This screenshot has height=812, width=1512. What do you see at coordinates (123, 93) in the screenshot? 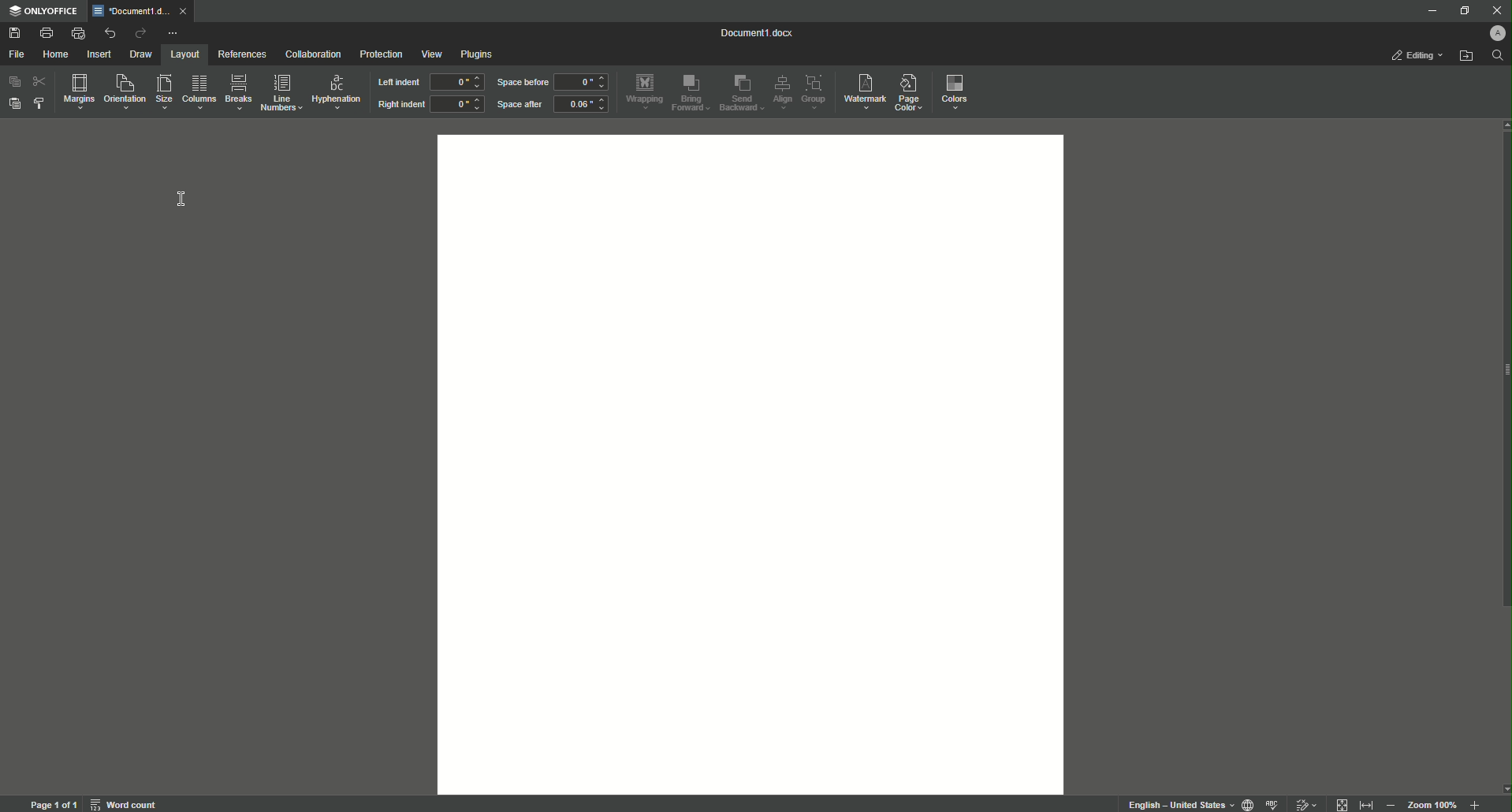
I see `Orientation` at bounding box center [123, 93].